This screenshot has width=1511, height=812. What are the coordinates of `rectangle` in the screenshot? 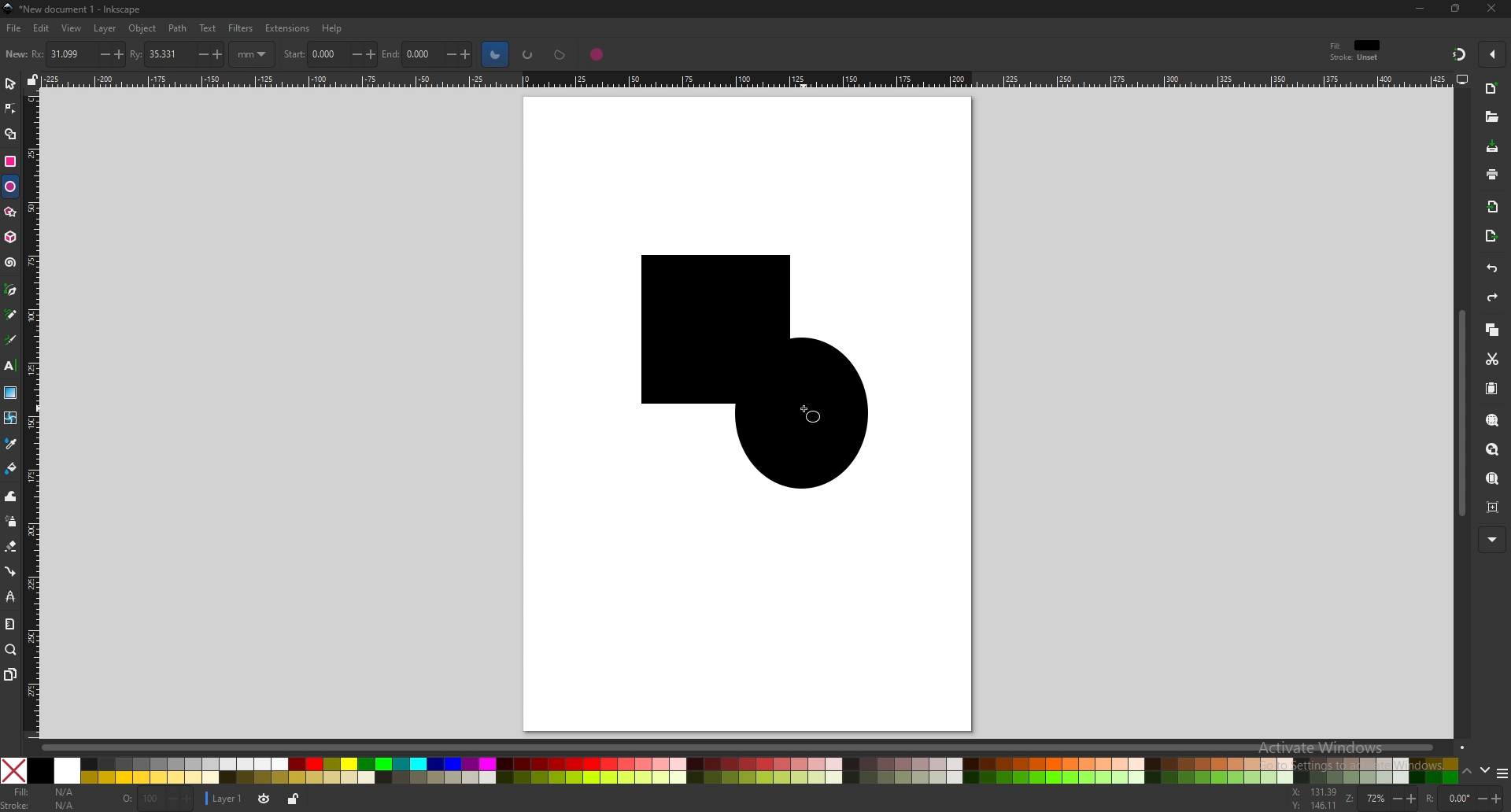 It's located at (11, 160).